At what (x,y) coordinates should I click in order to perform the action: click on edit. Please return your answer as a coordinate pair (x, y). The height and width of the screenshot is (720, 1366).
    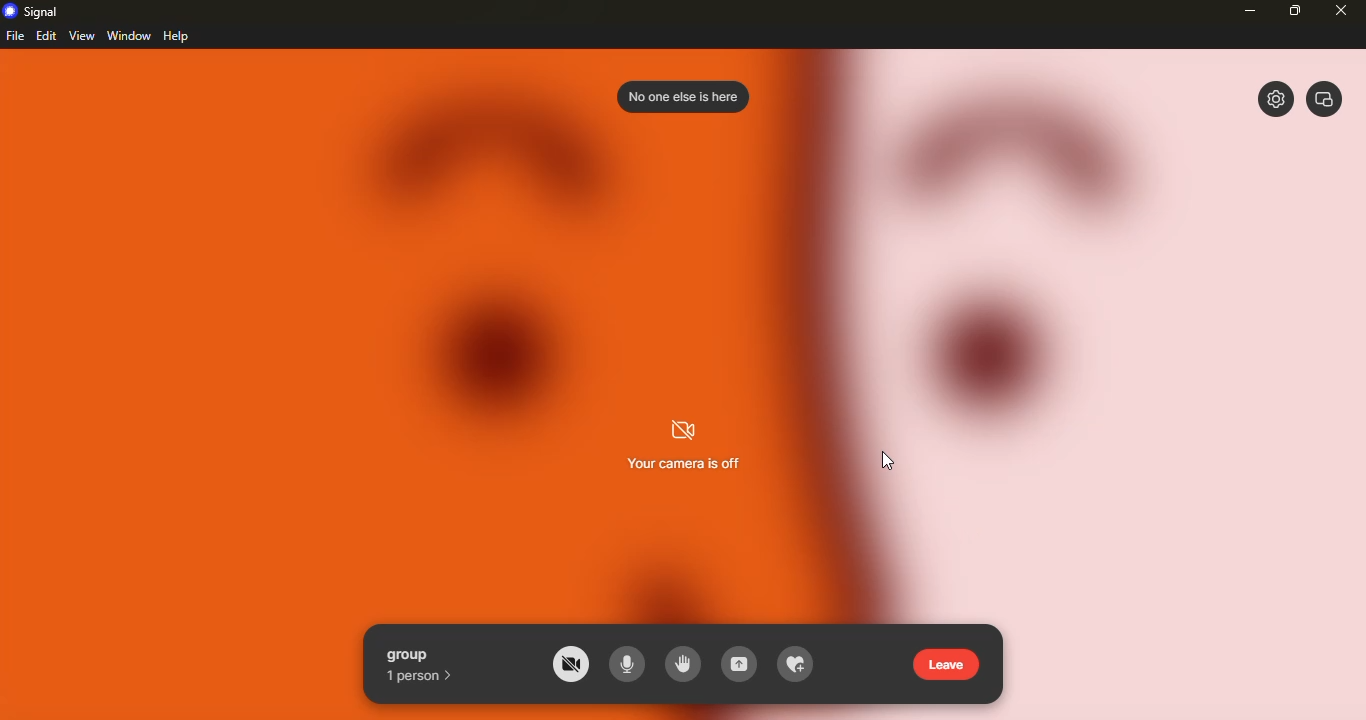
    Looking at the image, I should click on (47, 36).